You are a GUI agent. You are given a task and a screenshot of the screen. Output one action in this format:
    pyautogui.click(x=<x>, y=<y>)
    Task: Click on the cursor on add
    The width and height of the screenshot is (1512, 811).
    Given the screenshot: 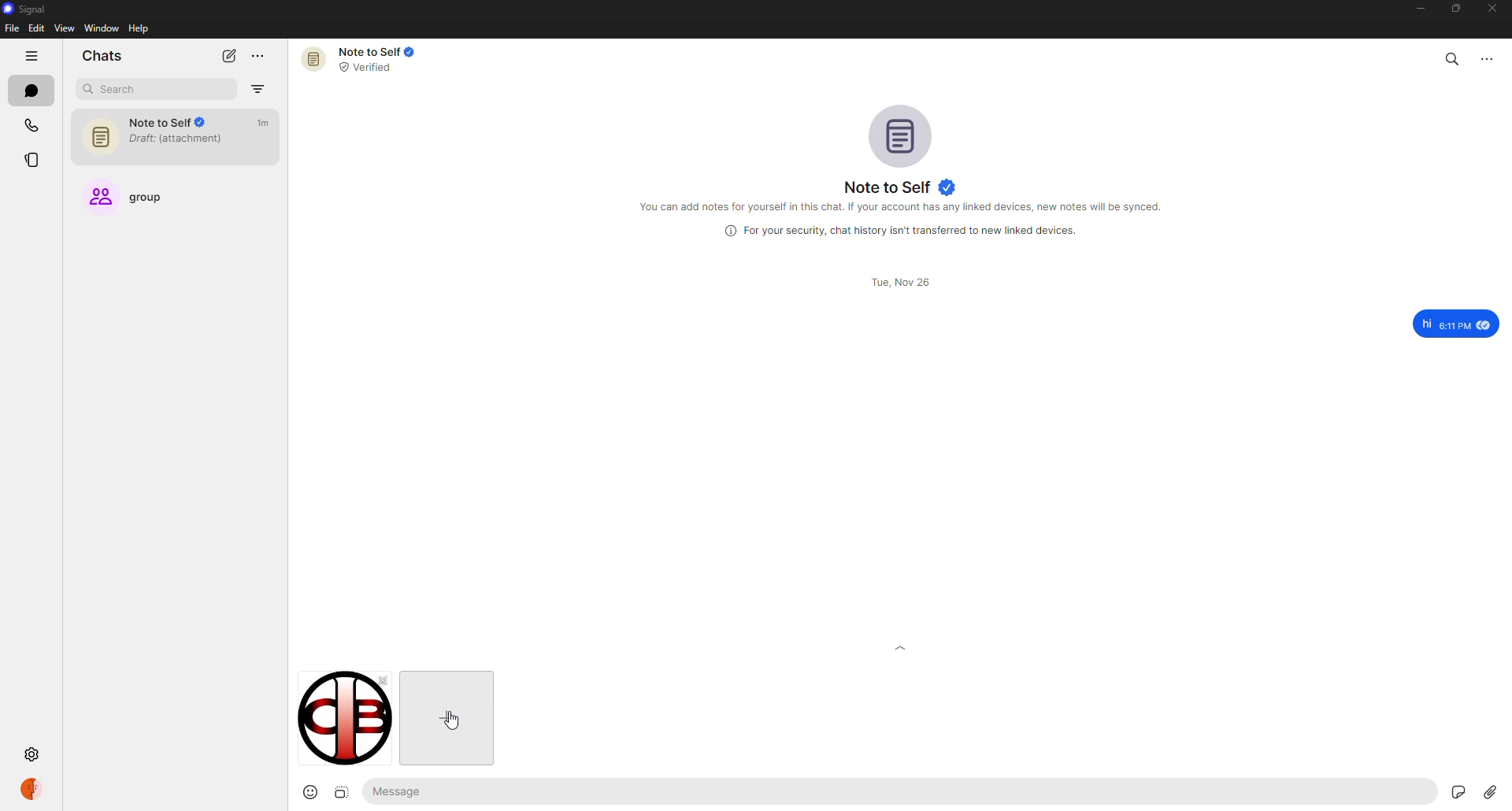 What is the action you would take?
    pyautogui.click(x=447, y=718)
    